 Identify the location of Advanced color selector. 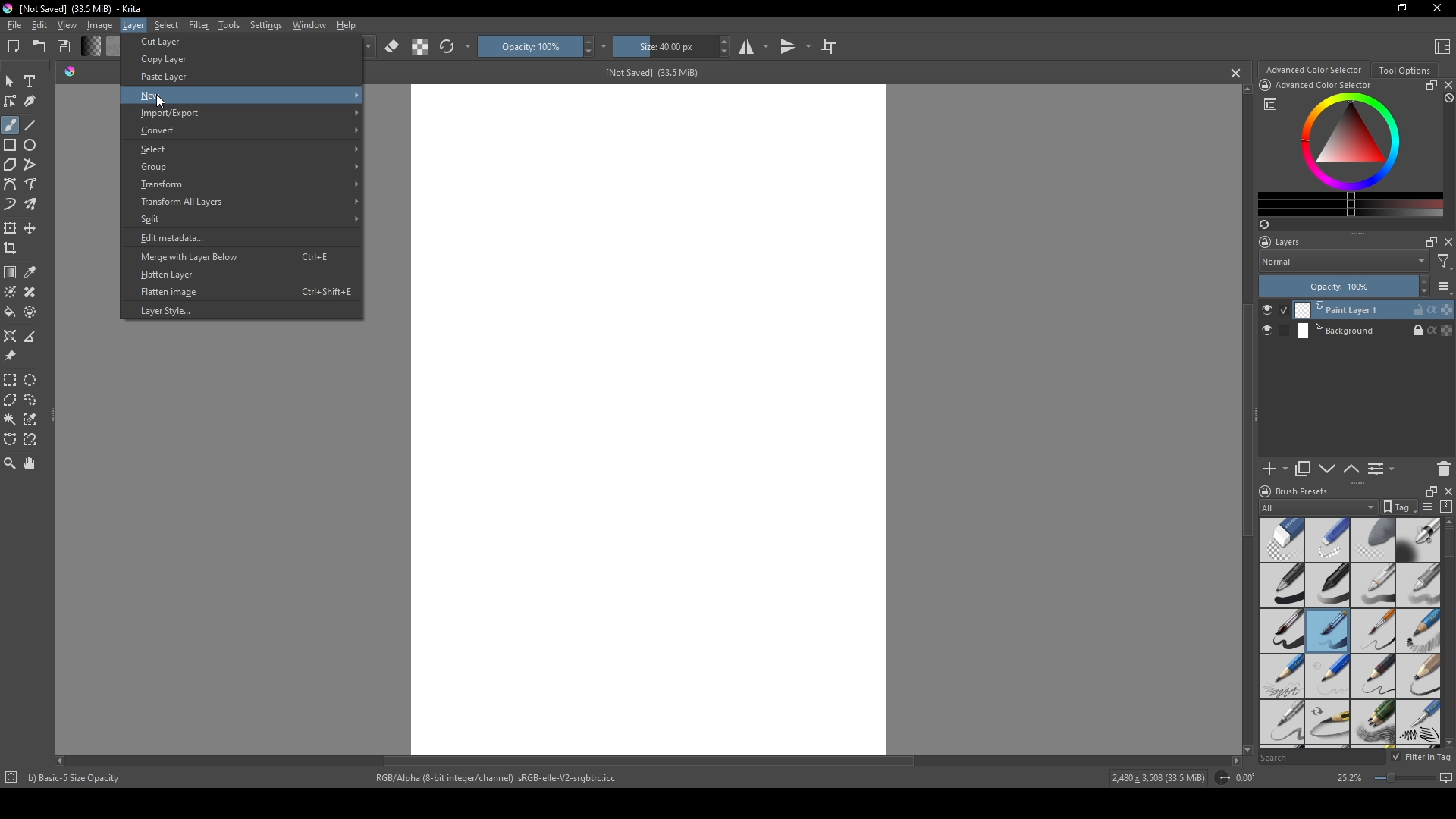
(1313, 70).